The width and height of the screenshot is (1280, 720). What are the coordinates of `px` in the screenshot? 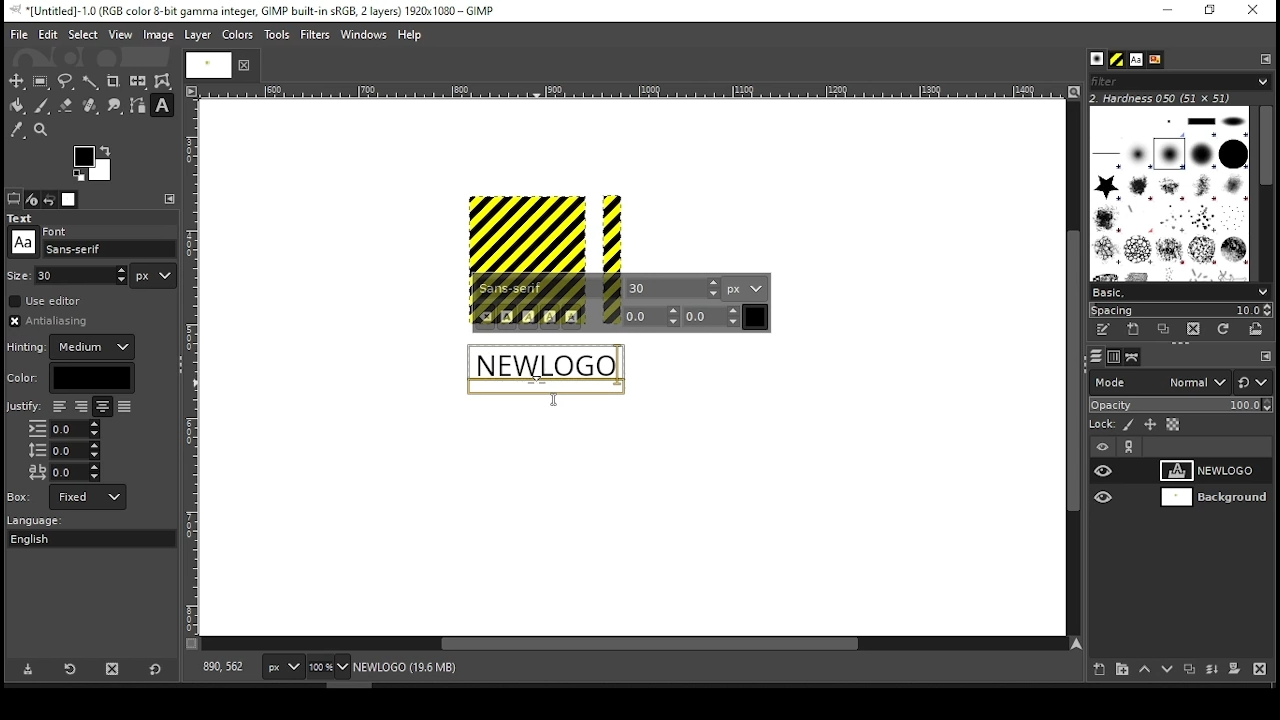 It's located at (282, 669).